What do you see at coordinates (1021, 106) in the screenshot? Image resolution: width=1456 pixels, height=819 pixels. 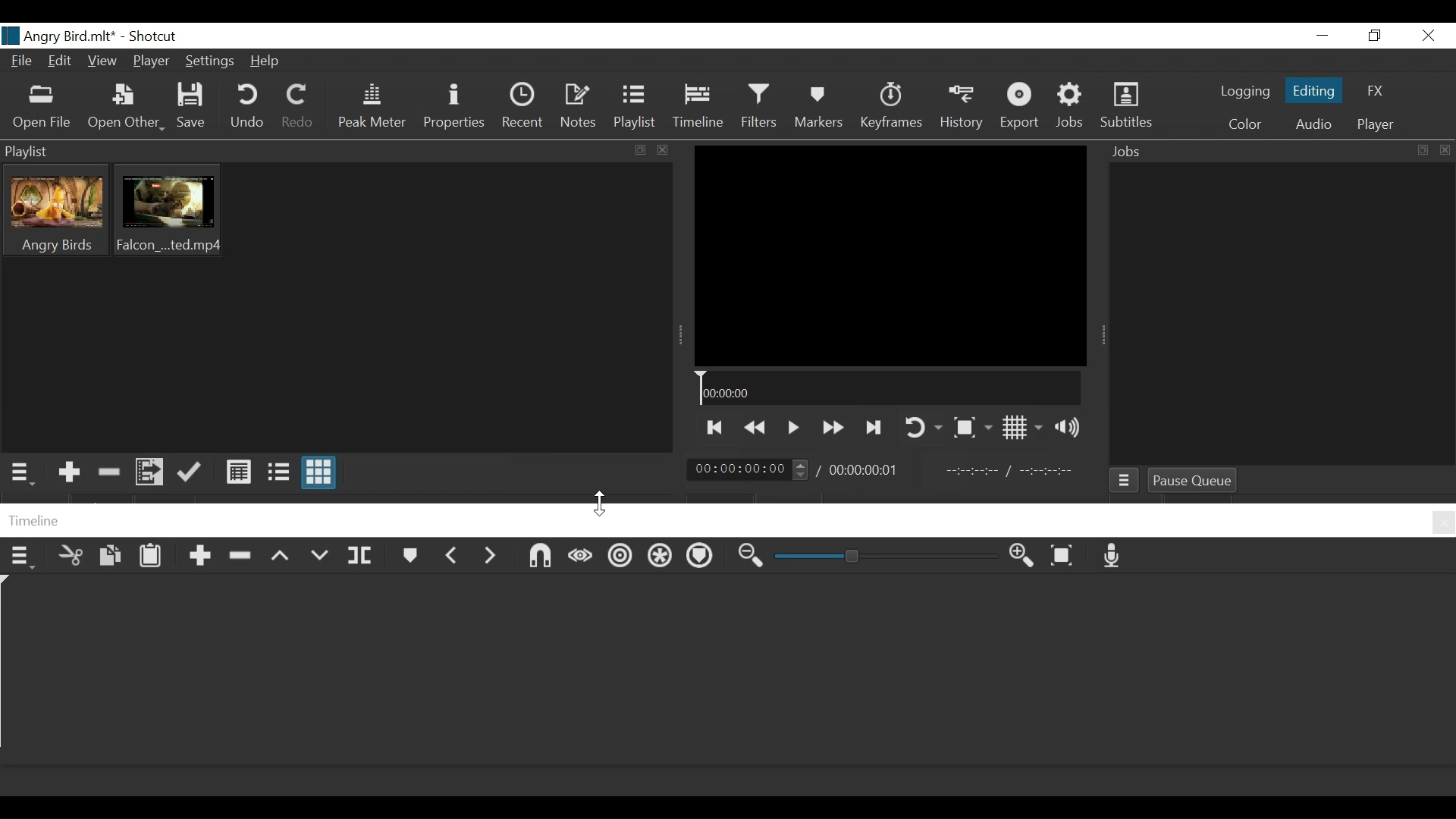 I see `Export` at bounding box center [1021, 106].